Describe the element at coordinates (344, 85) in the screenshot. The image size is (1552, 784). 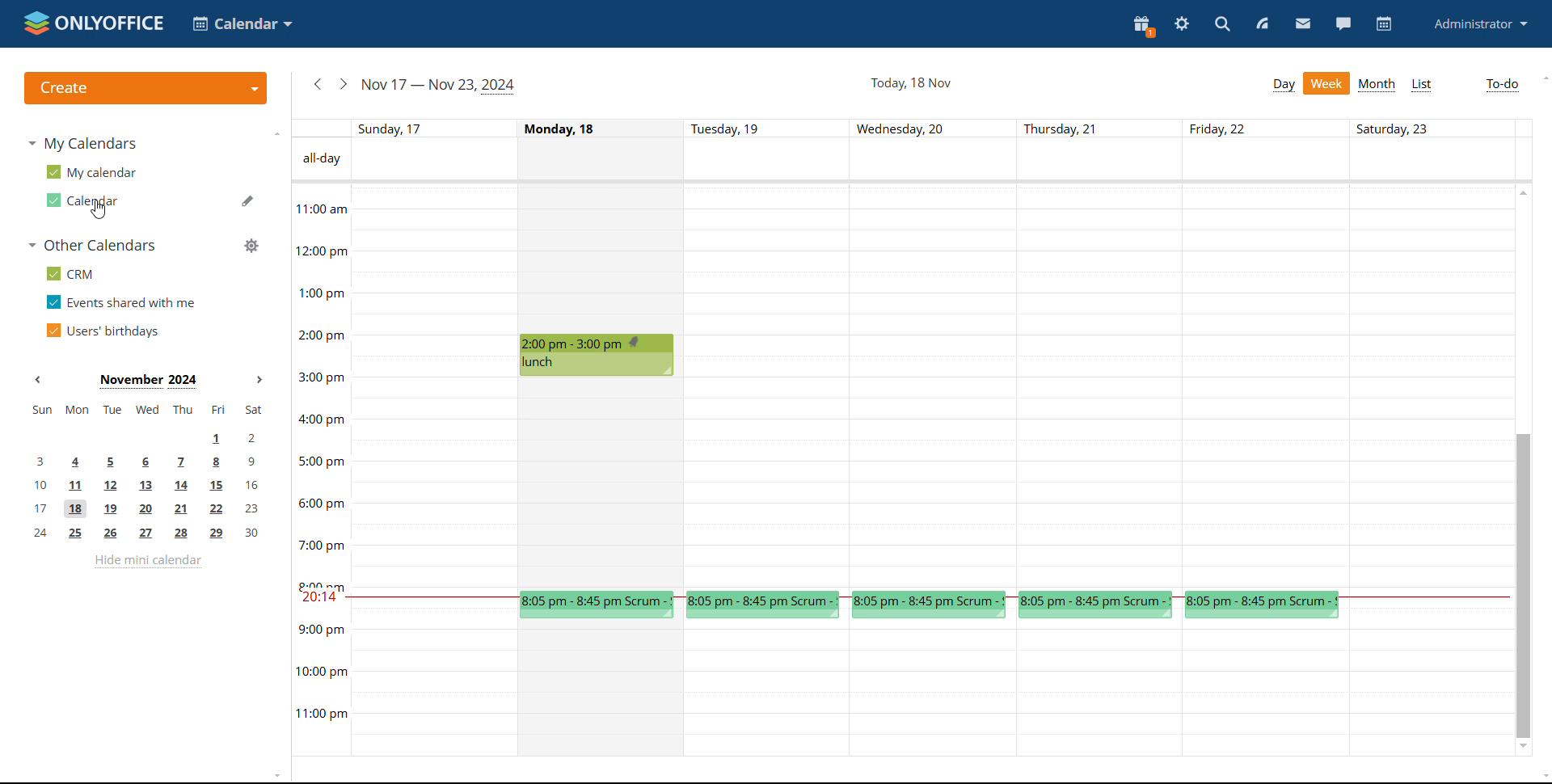
I see `next week` at that location.